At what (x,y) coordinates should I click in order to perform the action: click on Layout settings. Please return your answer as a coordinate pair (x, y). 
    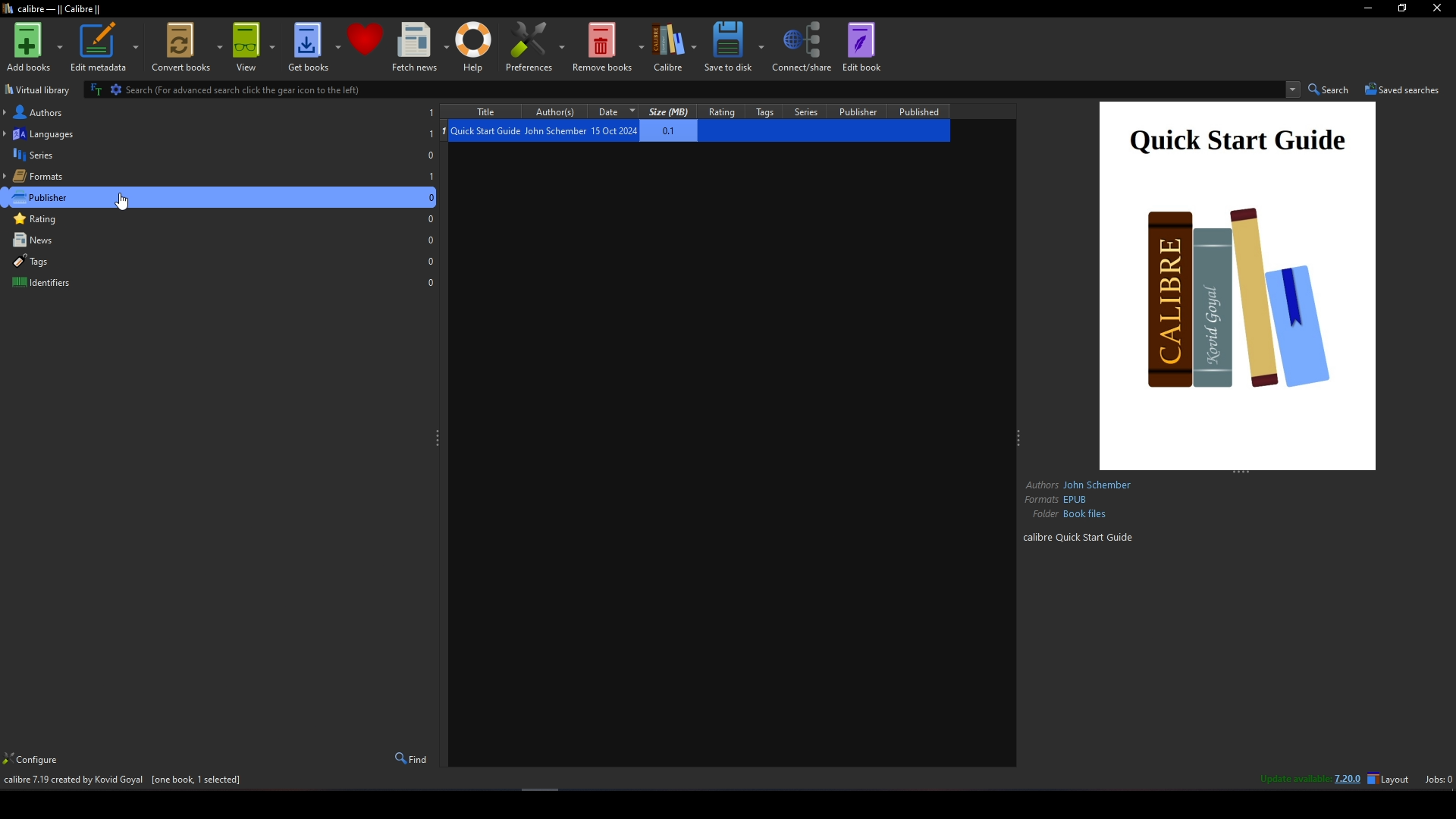
    Looking at the image, I should click on (1391, 779).